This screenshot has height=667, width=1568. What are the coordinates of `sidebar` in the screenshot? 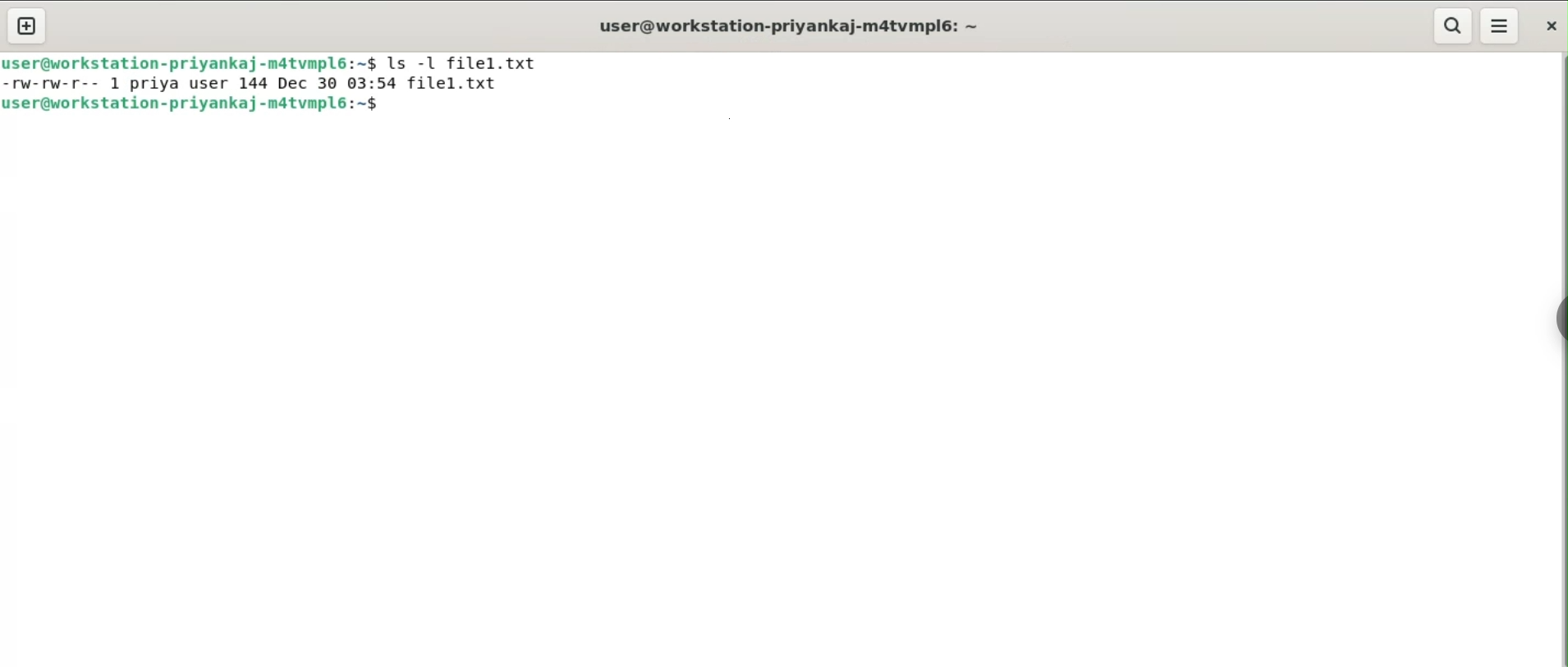 It's located at (1560, 320).